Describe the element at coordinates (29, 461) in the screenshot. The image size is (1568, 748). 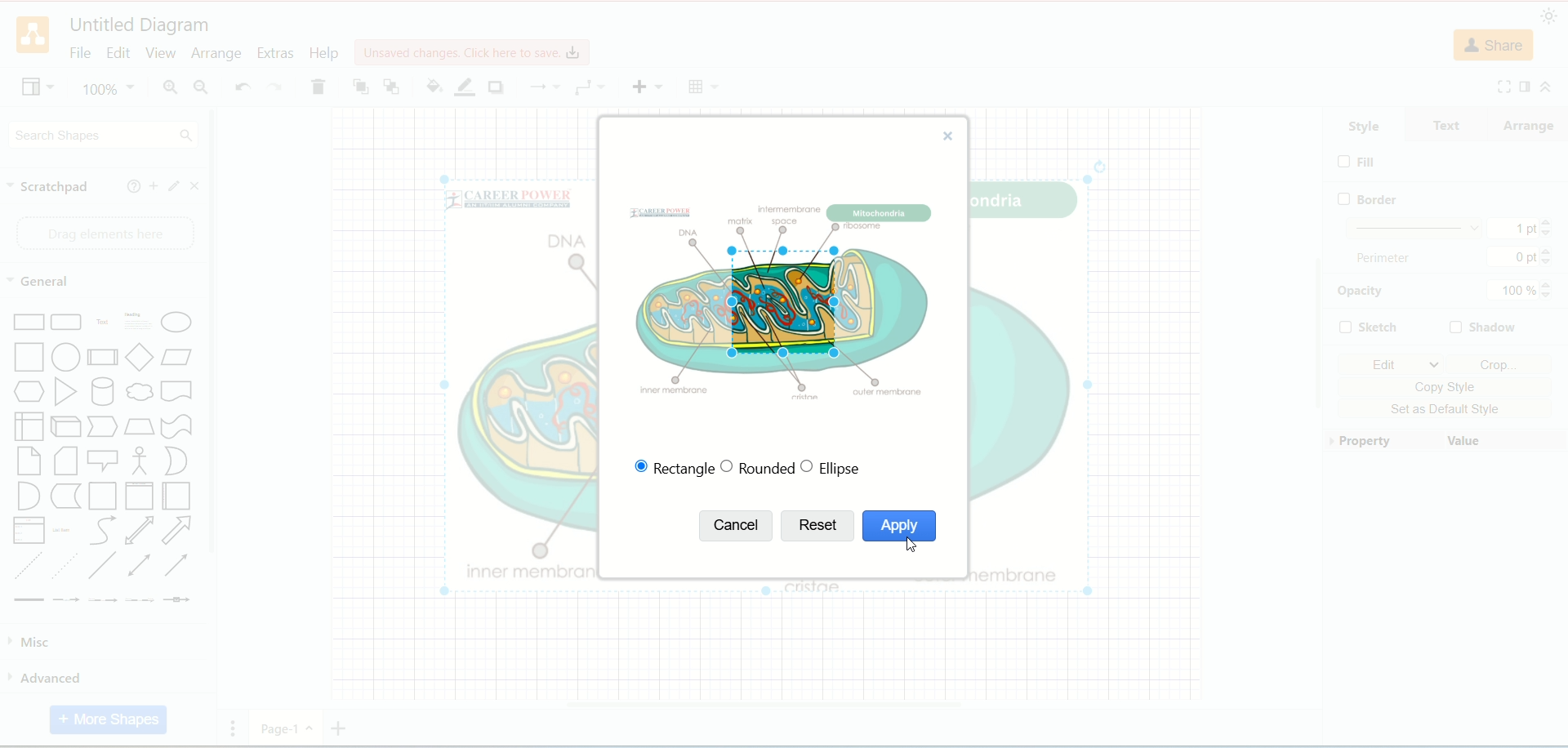
I see `Card` at that location.